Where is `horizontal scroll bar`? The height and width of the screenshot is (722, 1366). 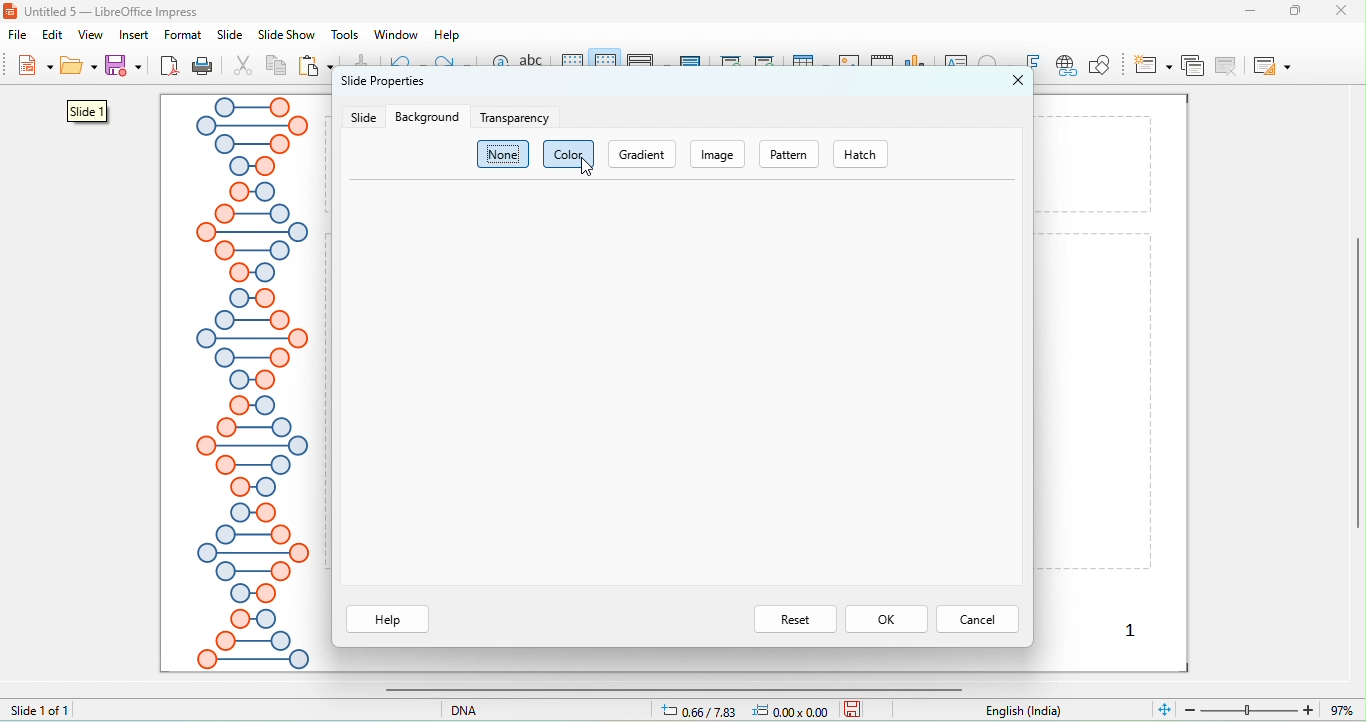
horizontal scroll bar is located at coordinates (668, 689).